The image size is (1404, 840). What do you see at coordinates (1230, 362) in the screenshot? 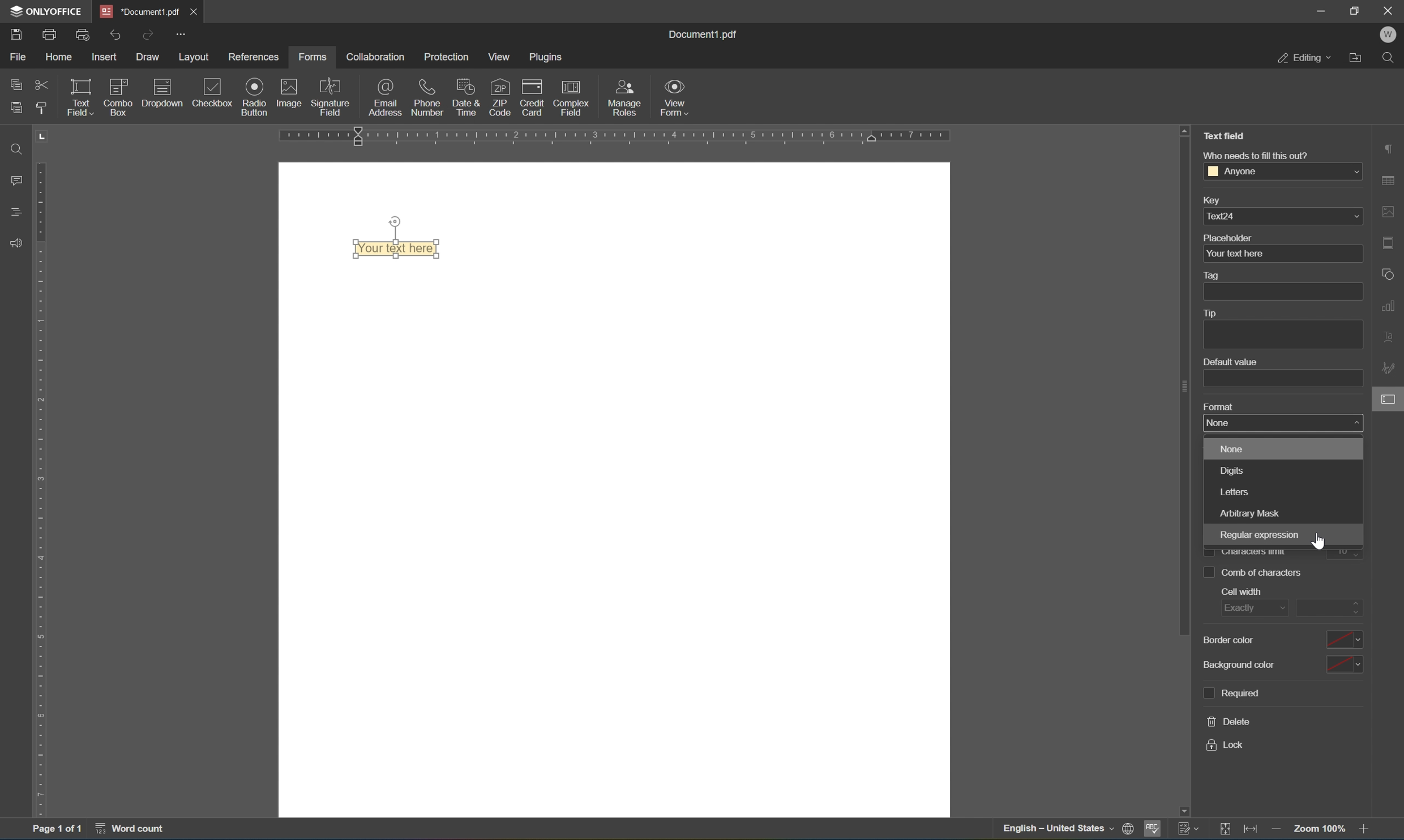
I see `default value` at bounding box center [1230, 362].